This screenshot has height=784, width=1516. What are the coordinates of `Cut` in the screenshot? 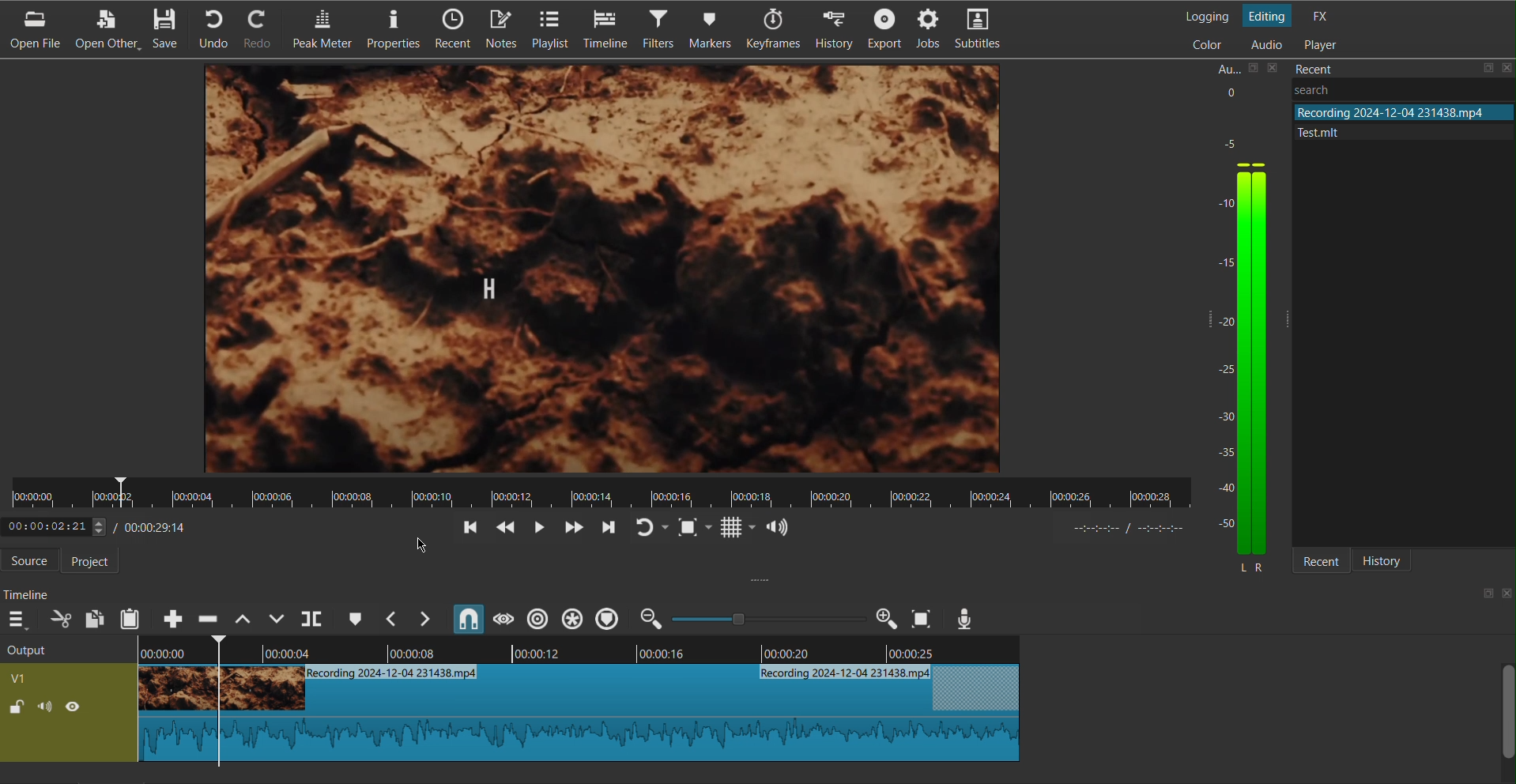 It's located at (60, 619).